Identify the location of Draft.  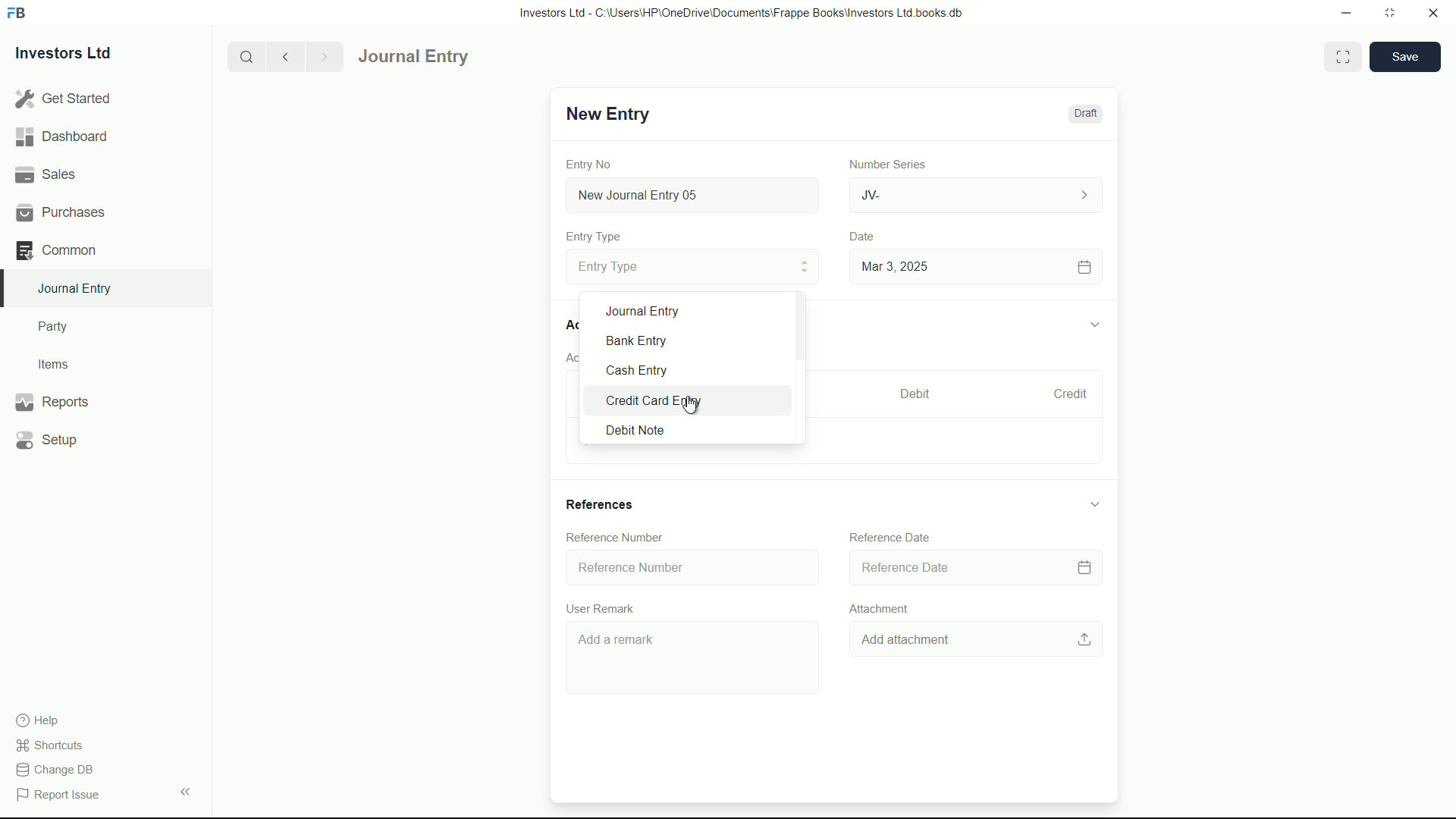
(1084, 114).